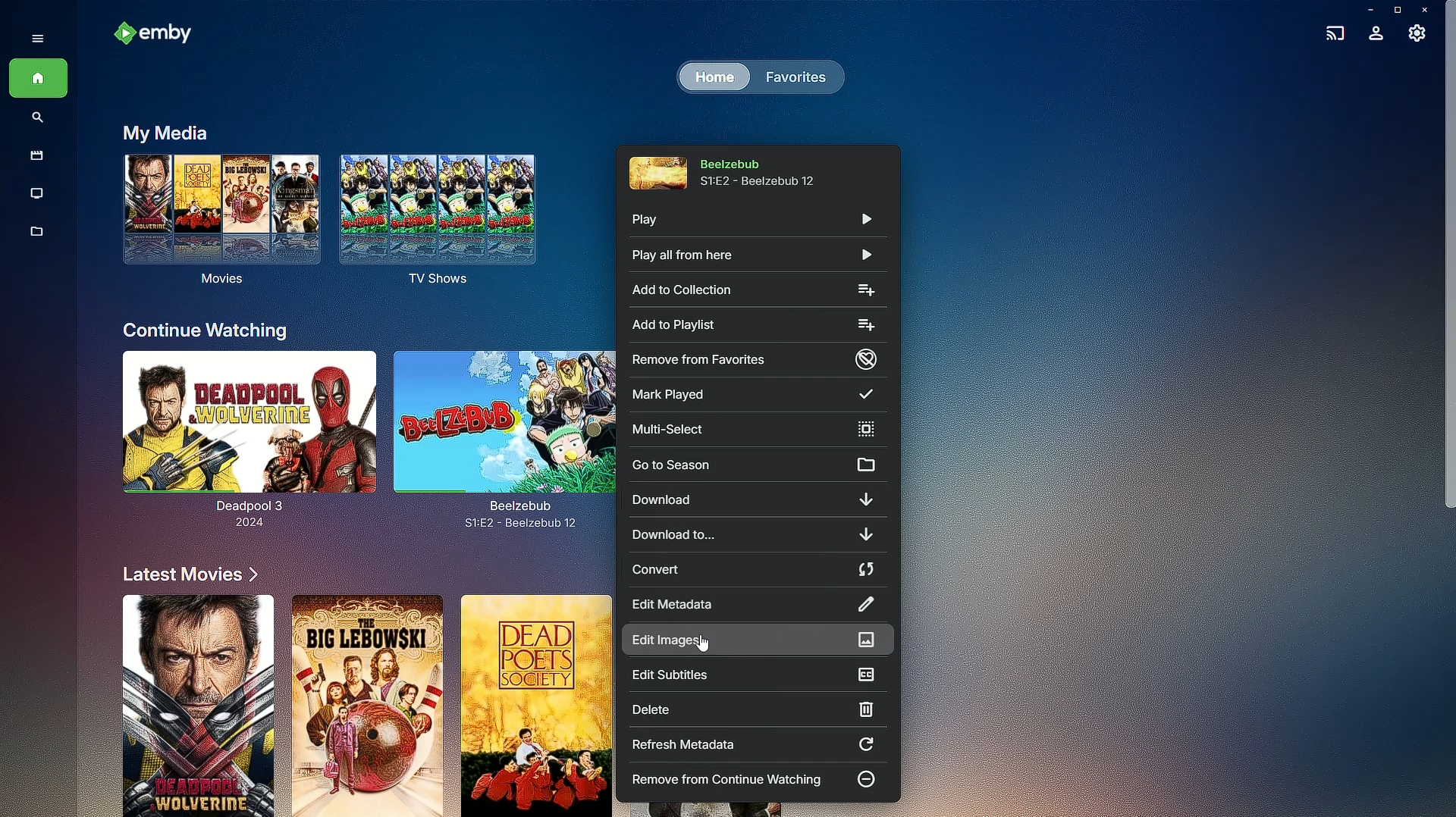 This screenshot has height=817, width=1456. Describe the element at coordinates (1445, 284) in the screenshot. I see `` at that location.